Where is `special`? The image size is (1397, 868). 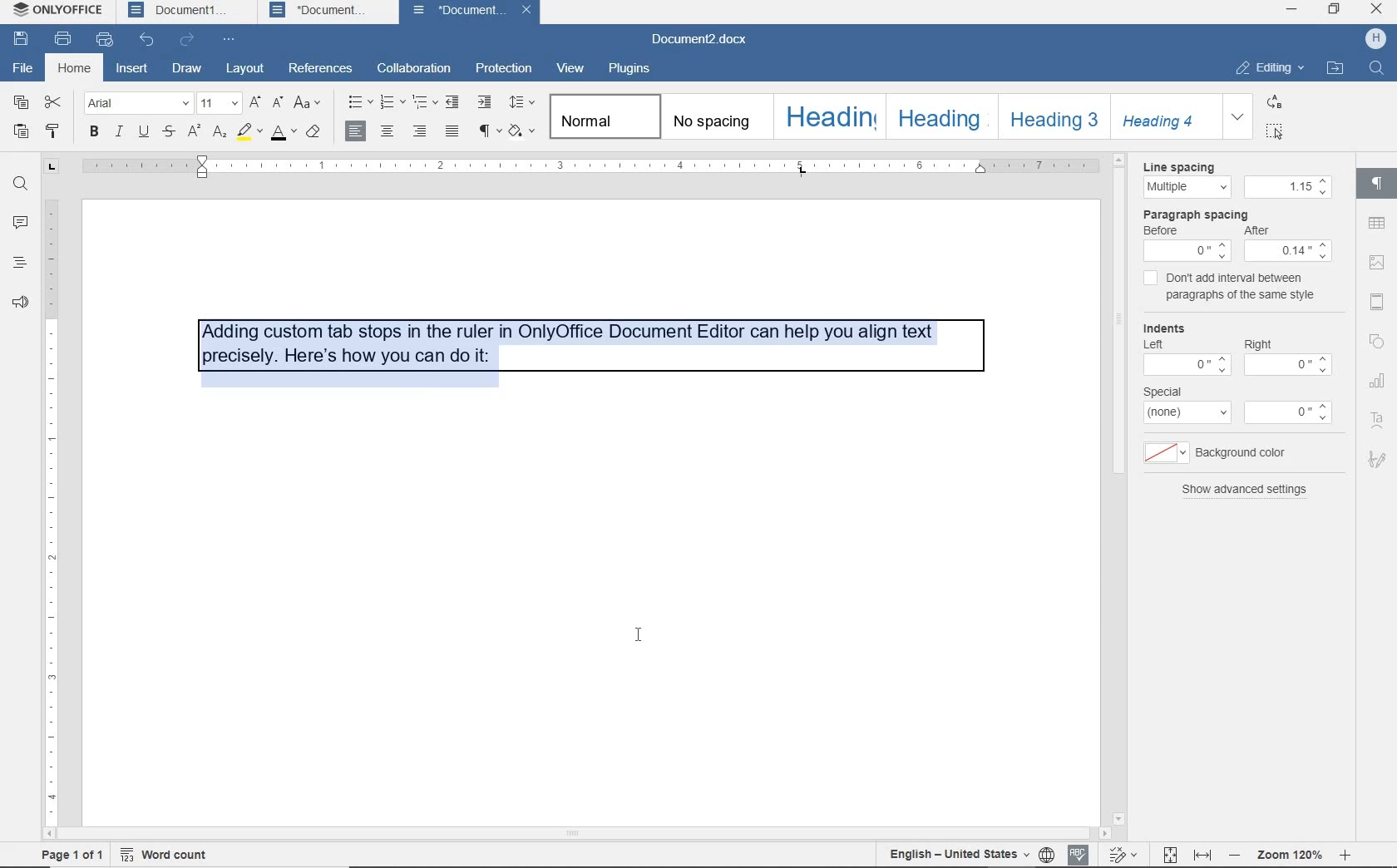 special is located at coordinates (1169, 391).